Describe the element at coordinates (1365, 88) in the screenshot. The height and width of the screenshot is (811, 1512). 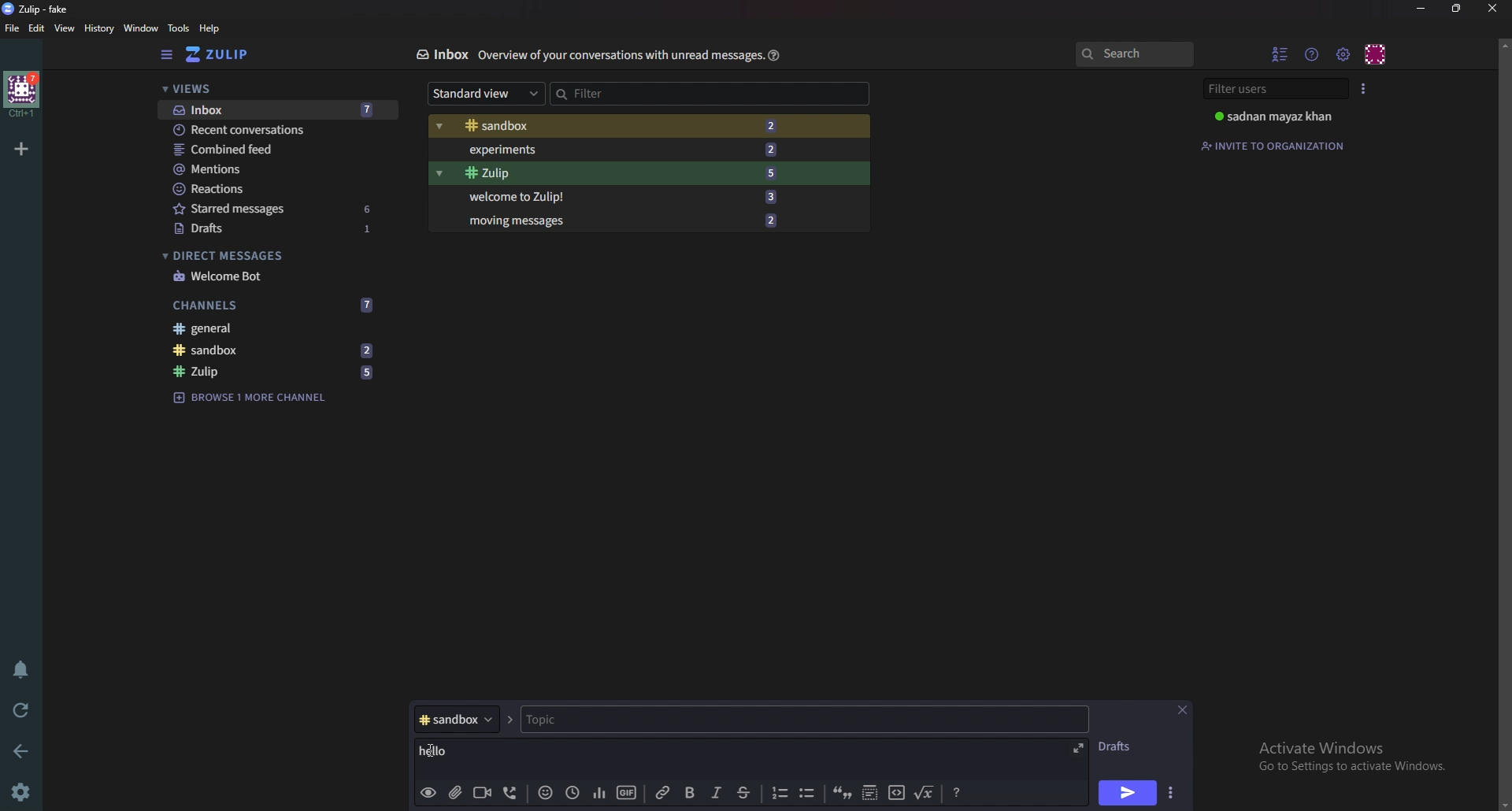
I see `User list style` at that location.